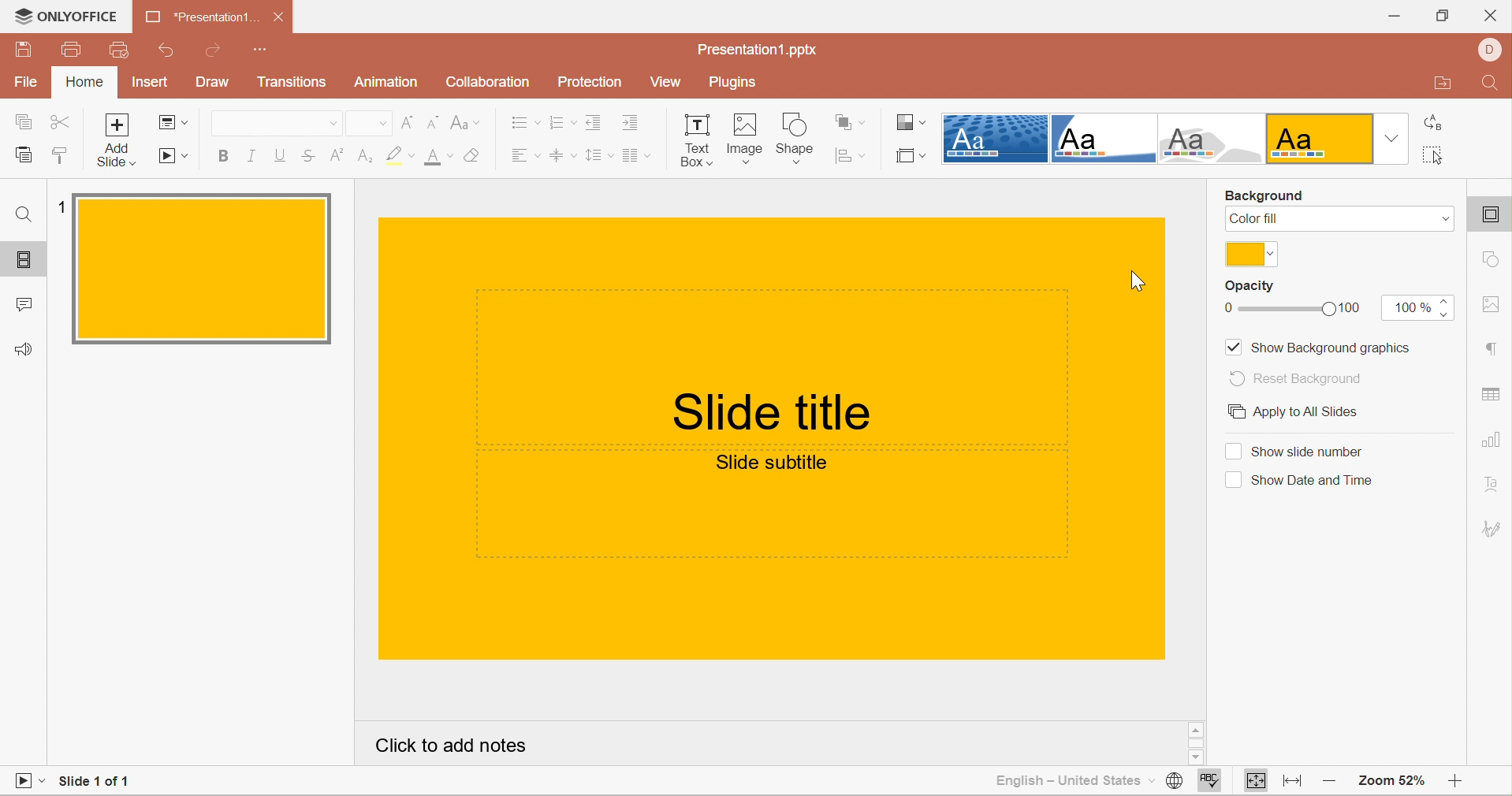 The width and height of the screenshot is (1512, 796). Describe the element at coordinates (1493, 48) in the screenshot. I see `DELL` at that location.